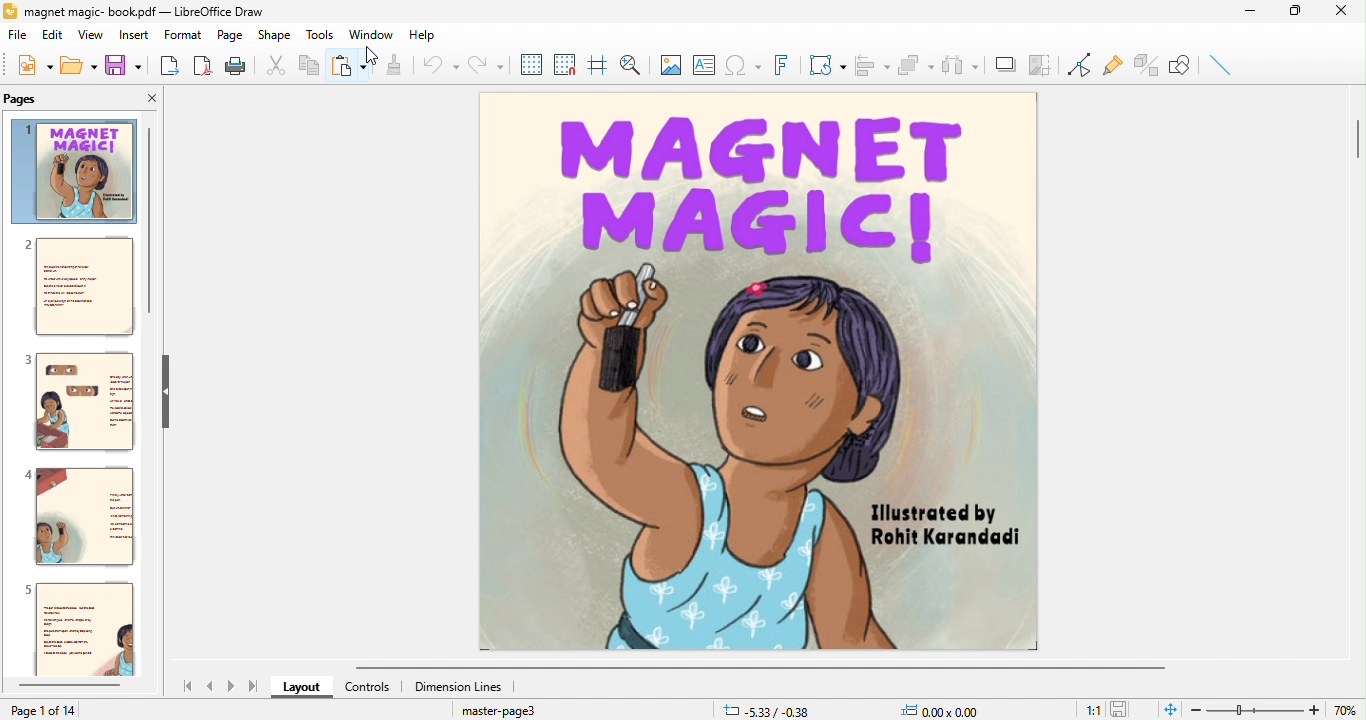 This screenshot has height=720, width=1366. What do you see at coordinates (1224, 65) in the screenshot?
I see `insert line` at bounding box center [1224, 65].